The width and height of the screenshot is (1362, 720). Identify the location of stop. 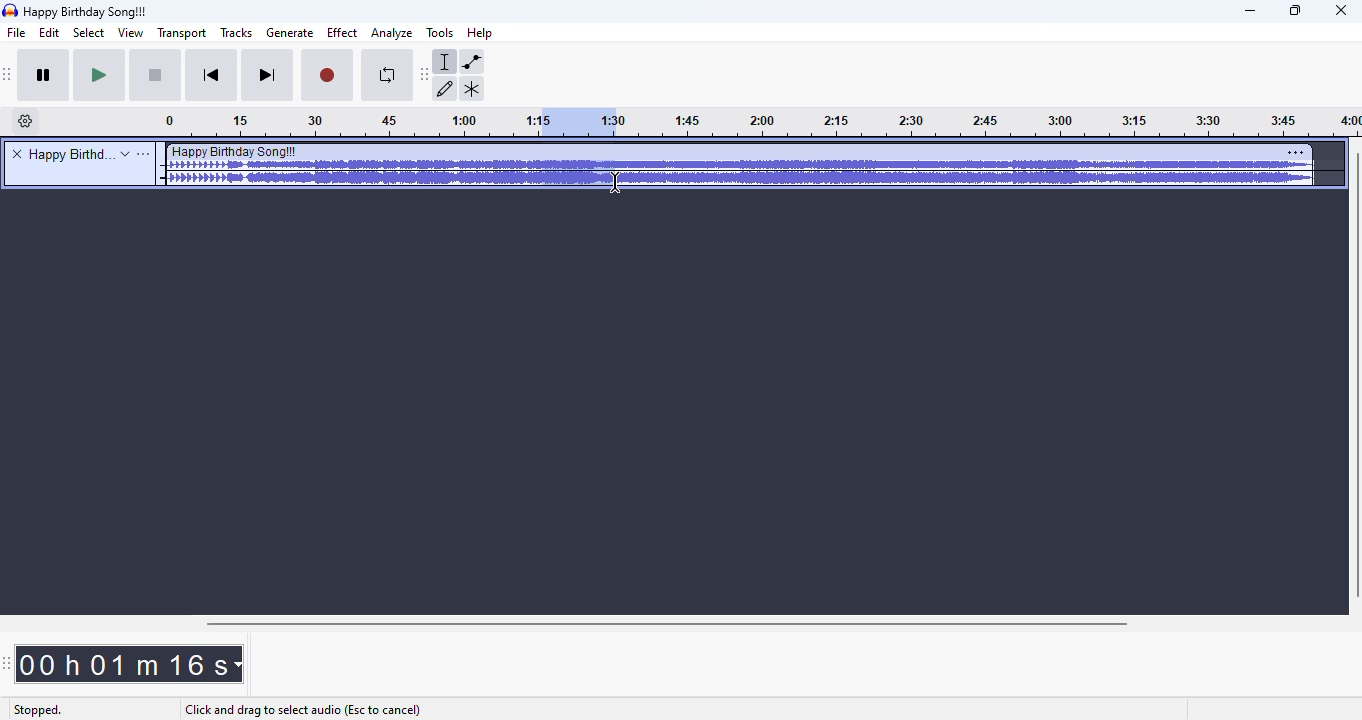
(157, 77).